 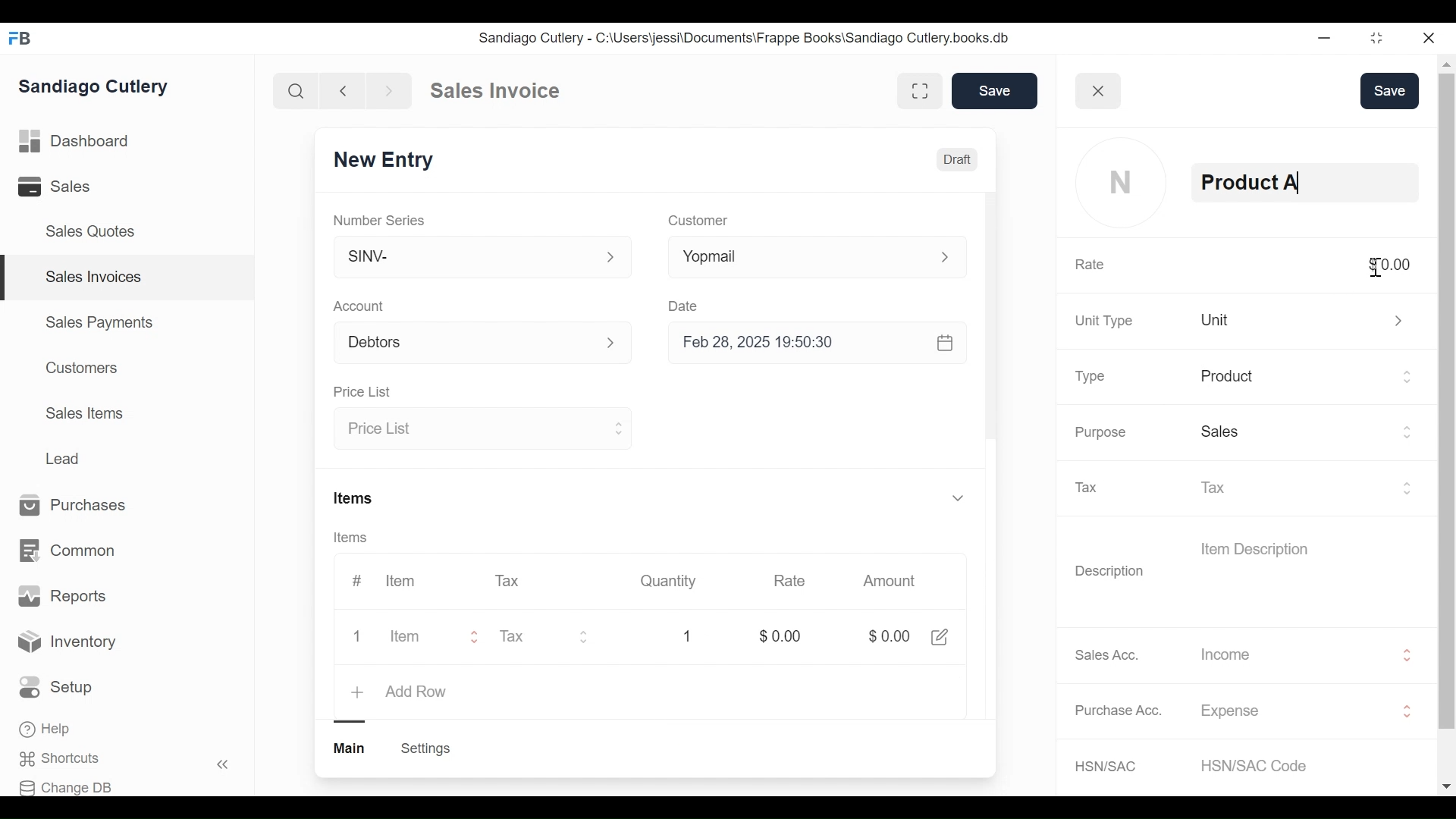 What do you see at coordinates (1124, 184) in the screenshot?
I see `profile` at bounding box center [1124, 184].